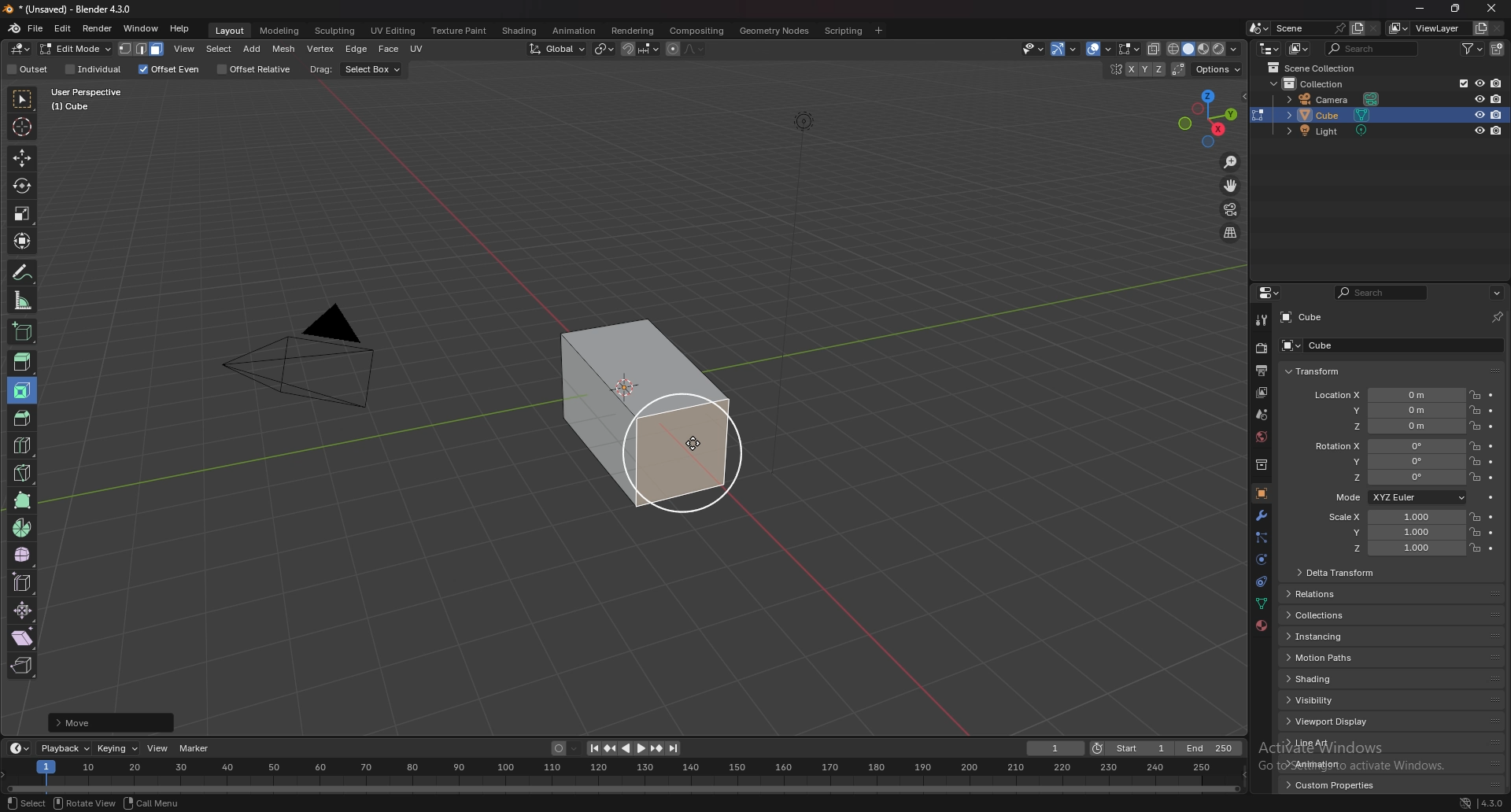 This screenshot has width=1511, height=812. What do you see at coordinates (461, 31) in the screenshot?
I see `texture paint` at bounding box center [461, 31].